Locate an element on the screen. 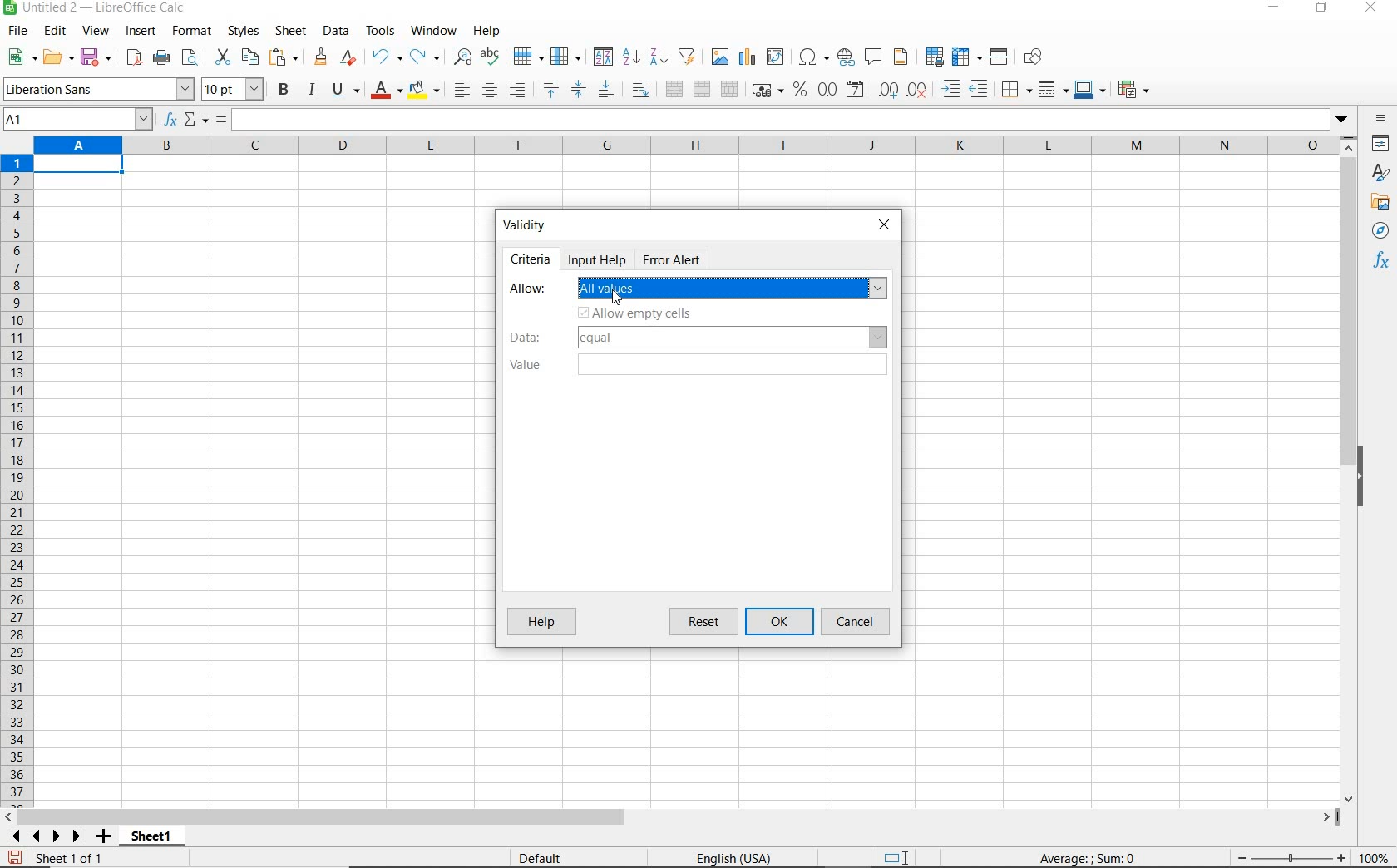  clone formatting is located at coordinates (322, 57).